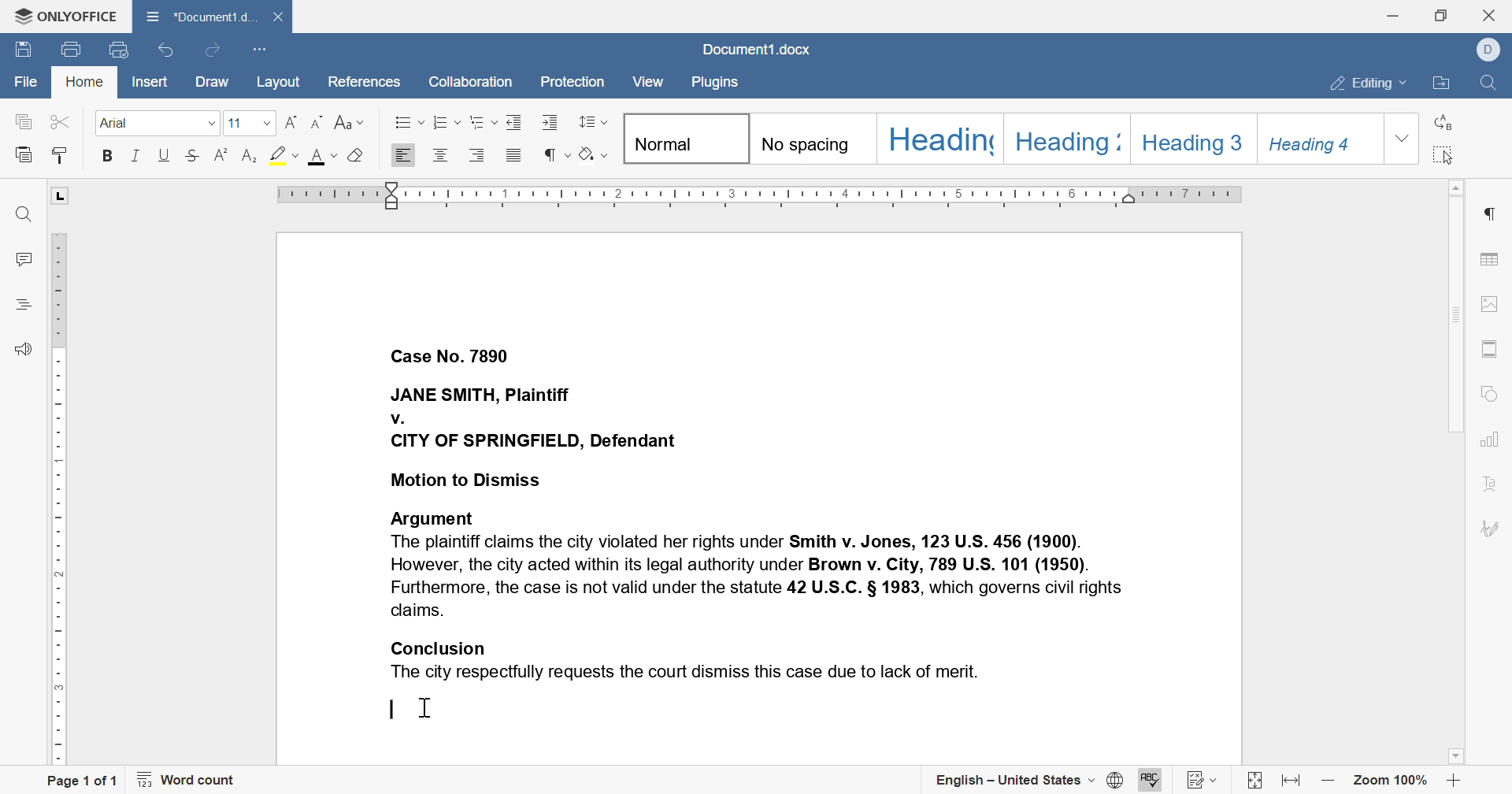 The height and width of the screenshot is (794, 1512). What do you see at coordinates (757, 49) in the screenshot?
I see `Document1.docx` at bounding box center [757, 49].